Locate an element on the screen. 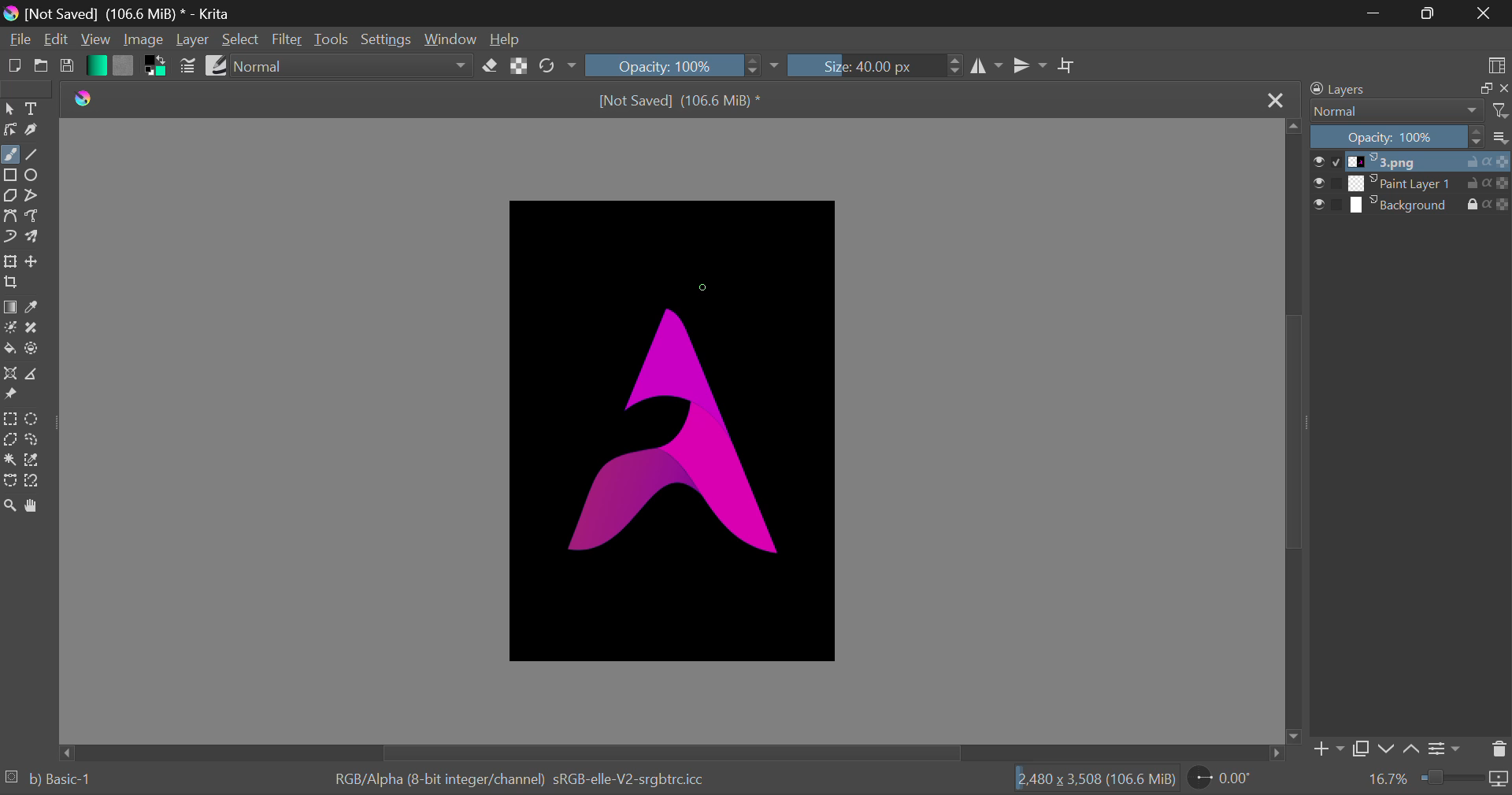 The width and height of the screenshot is (1512, 795). 16.7% is located at coordinates (1380, 780).